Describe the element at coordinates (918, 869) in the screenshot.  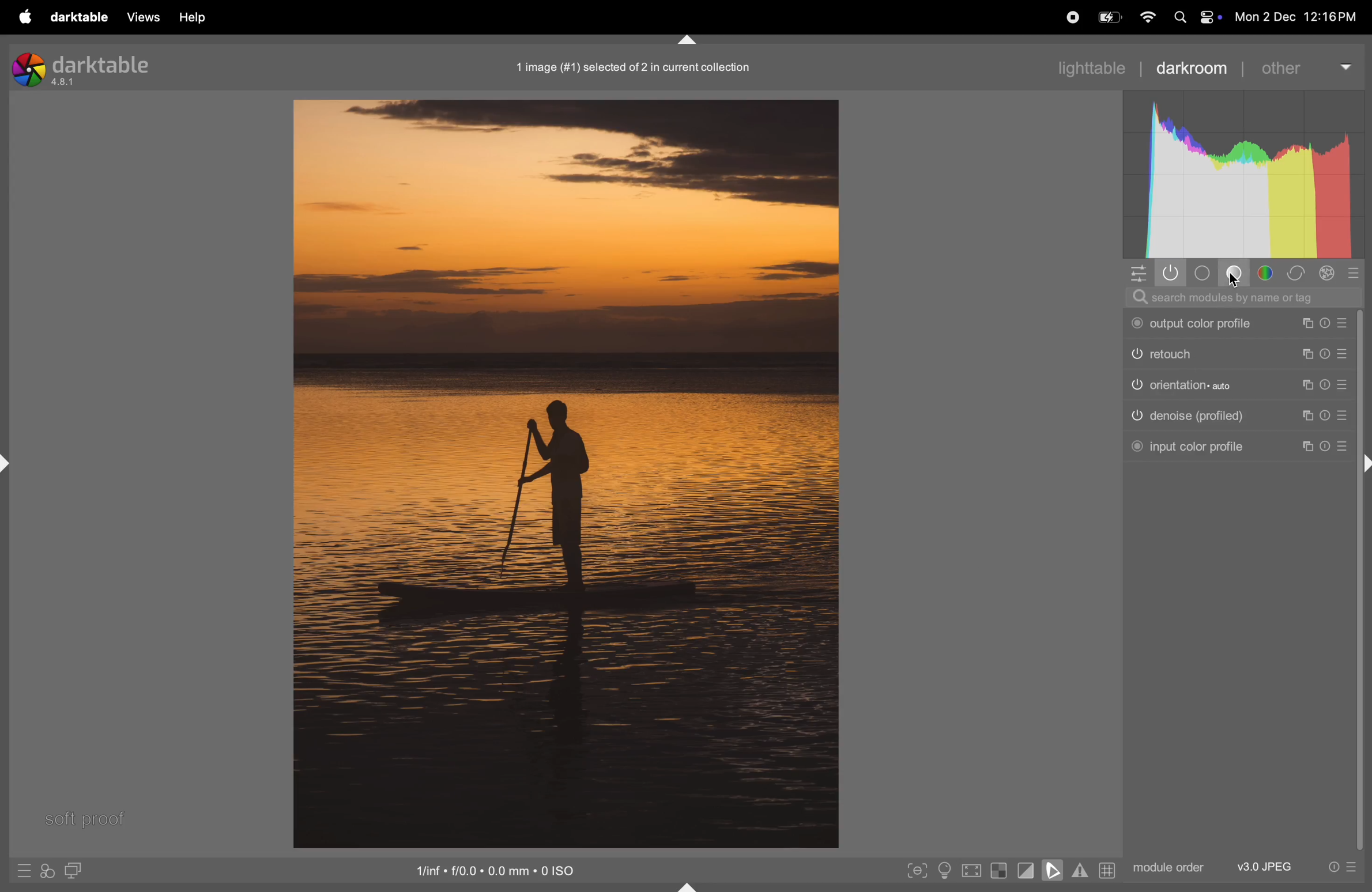
I see `toggle focus peaking mode` at that location.